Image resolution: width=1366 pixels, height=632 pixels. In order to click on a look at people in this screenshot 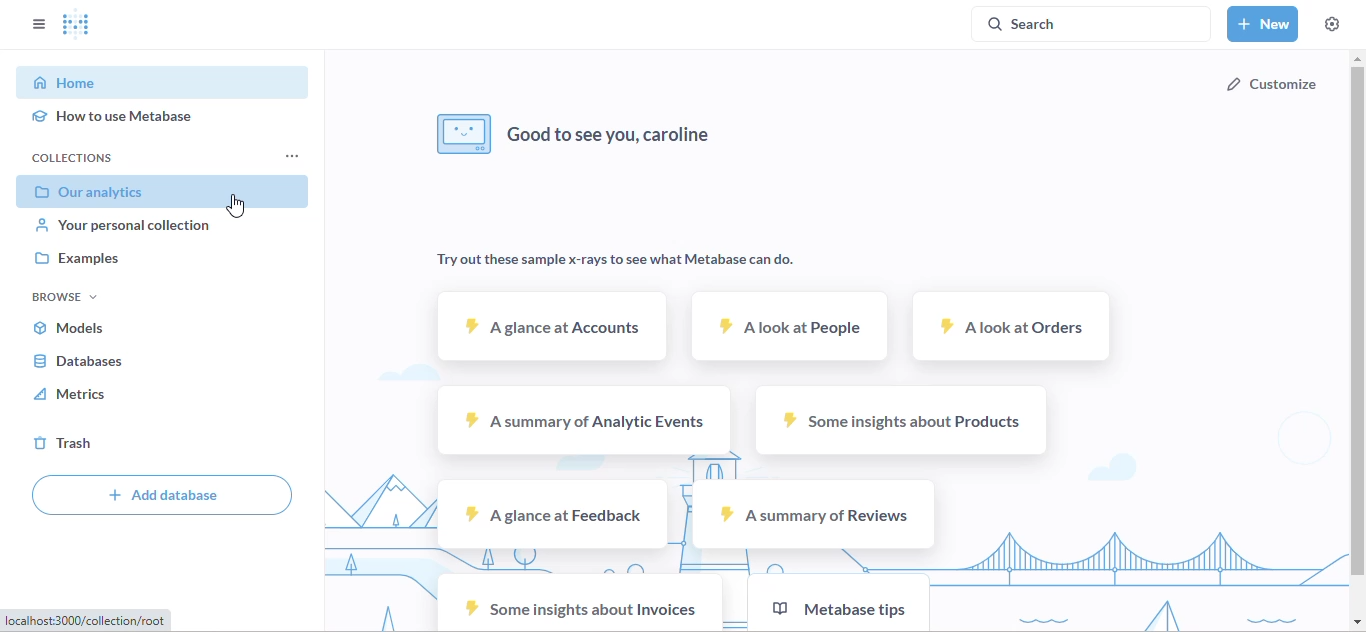, I will do `click(791, 326)`.